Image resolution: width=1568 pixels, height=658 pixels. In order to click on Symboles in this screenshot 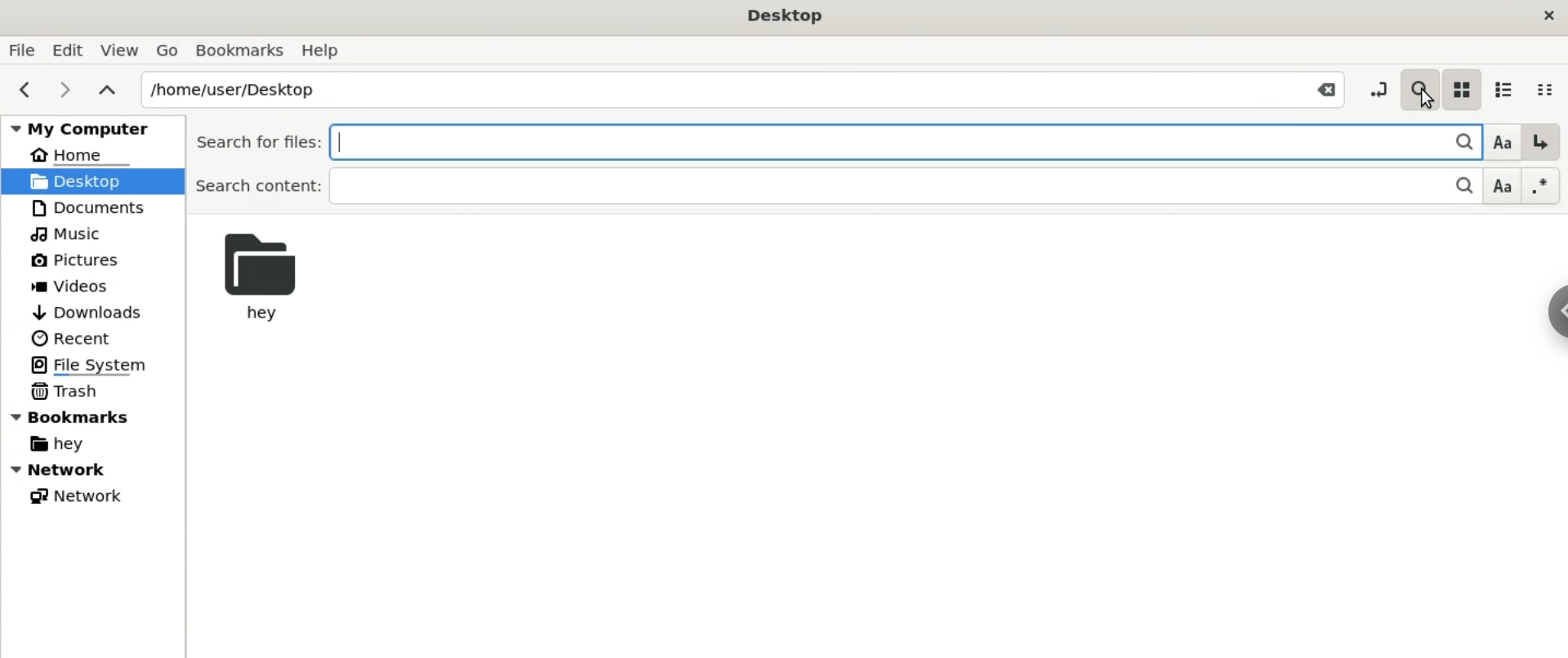, I will do `click(1542, 185)`.